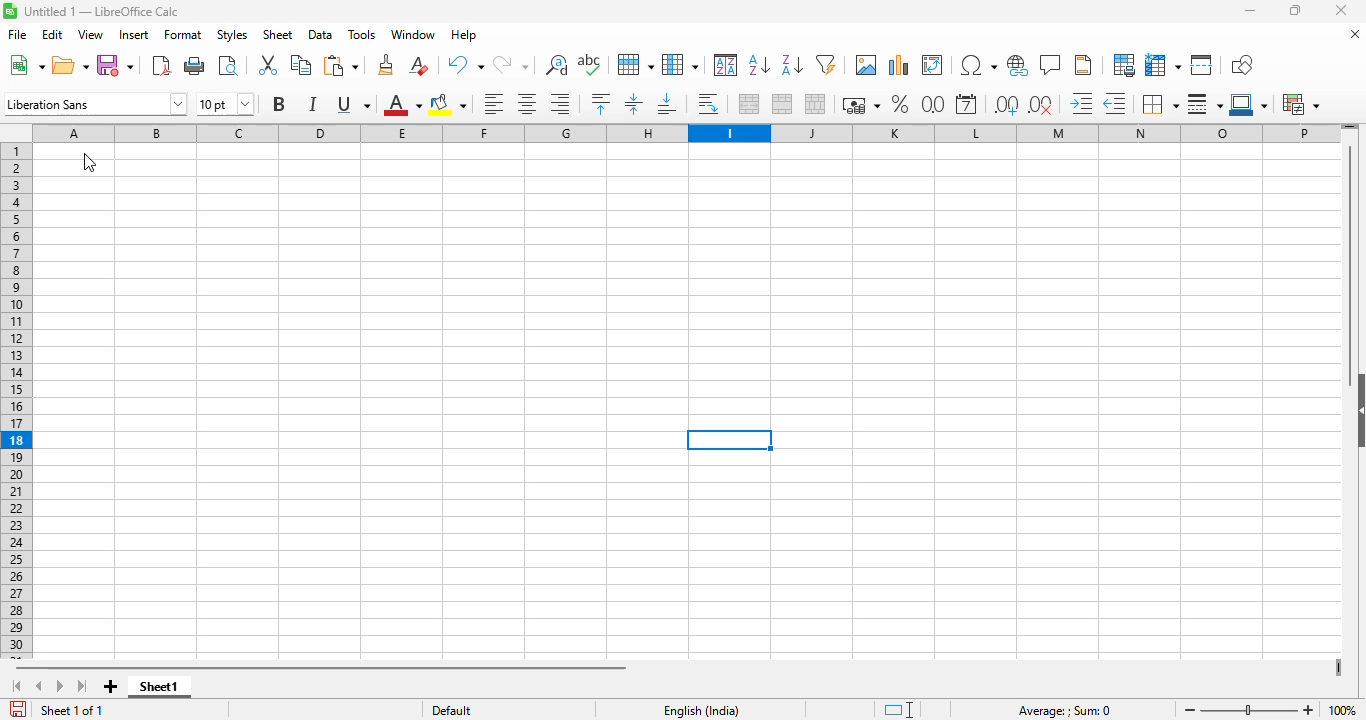 The width and height of the screenshot is (1366, 720). I want to click on sort ascending, so click(759, 64).